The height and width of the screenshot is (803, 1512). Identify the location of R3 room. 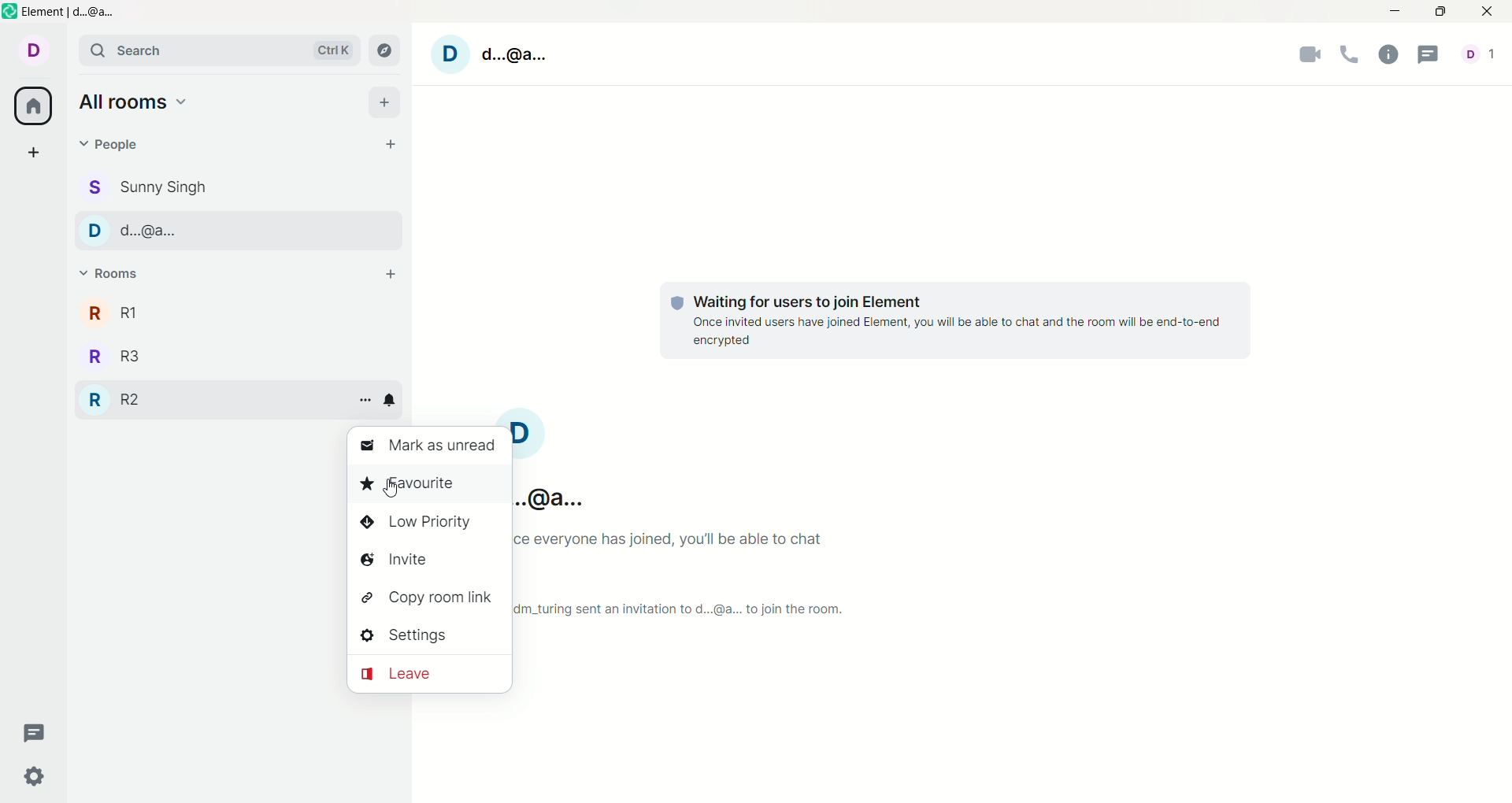
(139, 356).